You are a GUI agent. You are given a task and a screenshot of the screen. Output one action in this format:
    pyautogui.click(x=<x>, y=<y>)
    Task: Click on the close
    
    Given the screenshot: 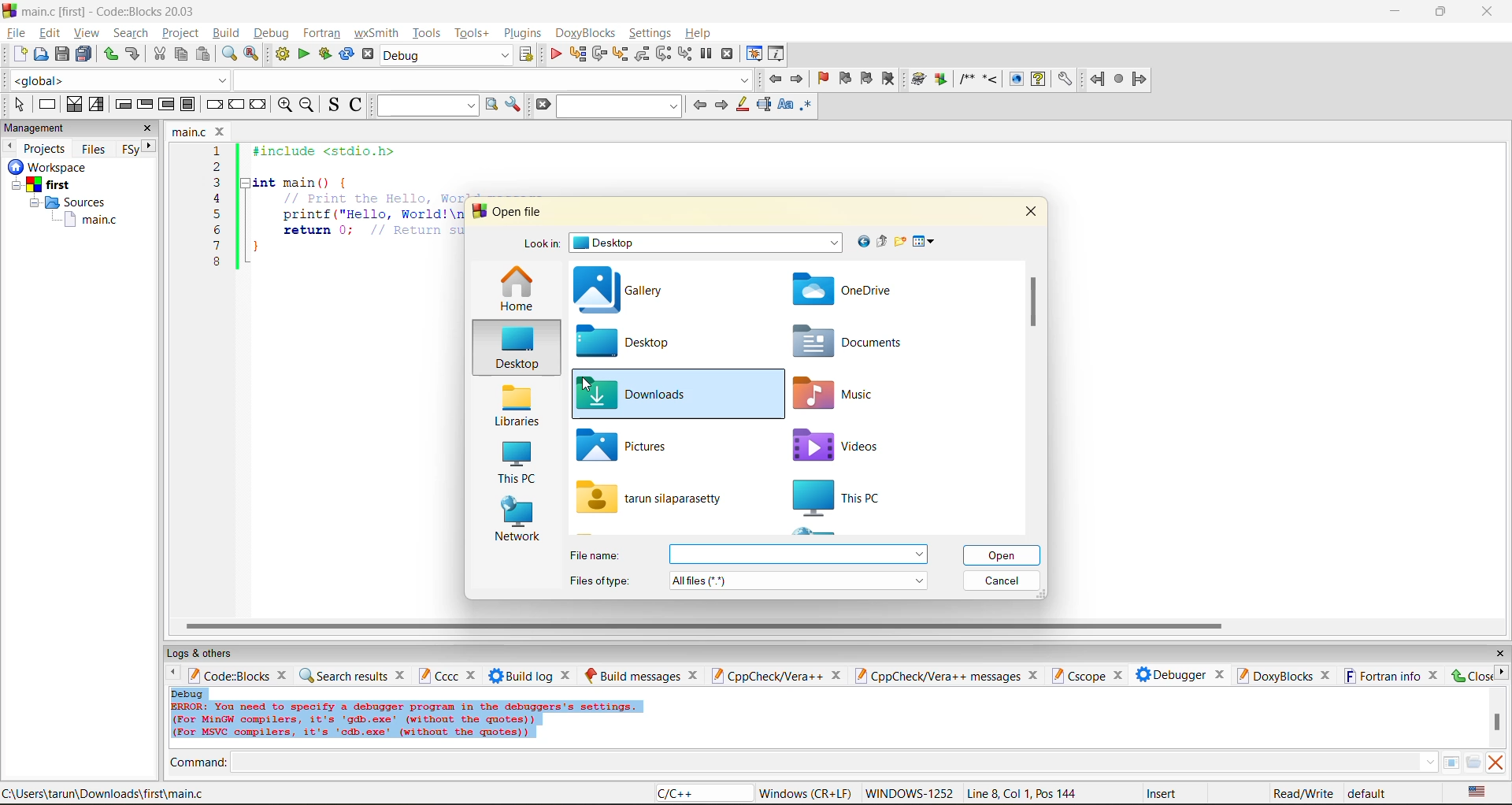 What is the action you would take?
    pyautogui.click(x=1036, y=675)
    